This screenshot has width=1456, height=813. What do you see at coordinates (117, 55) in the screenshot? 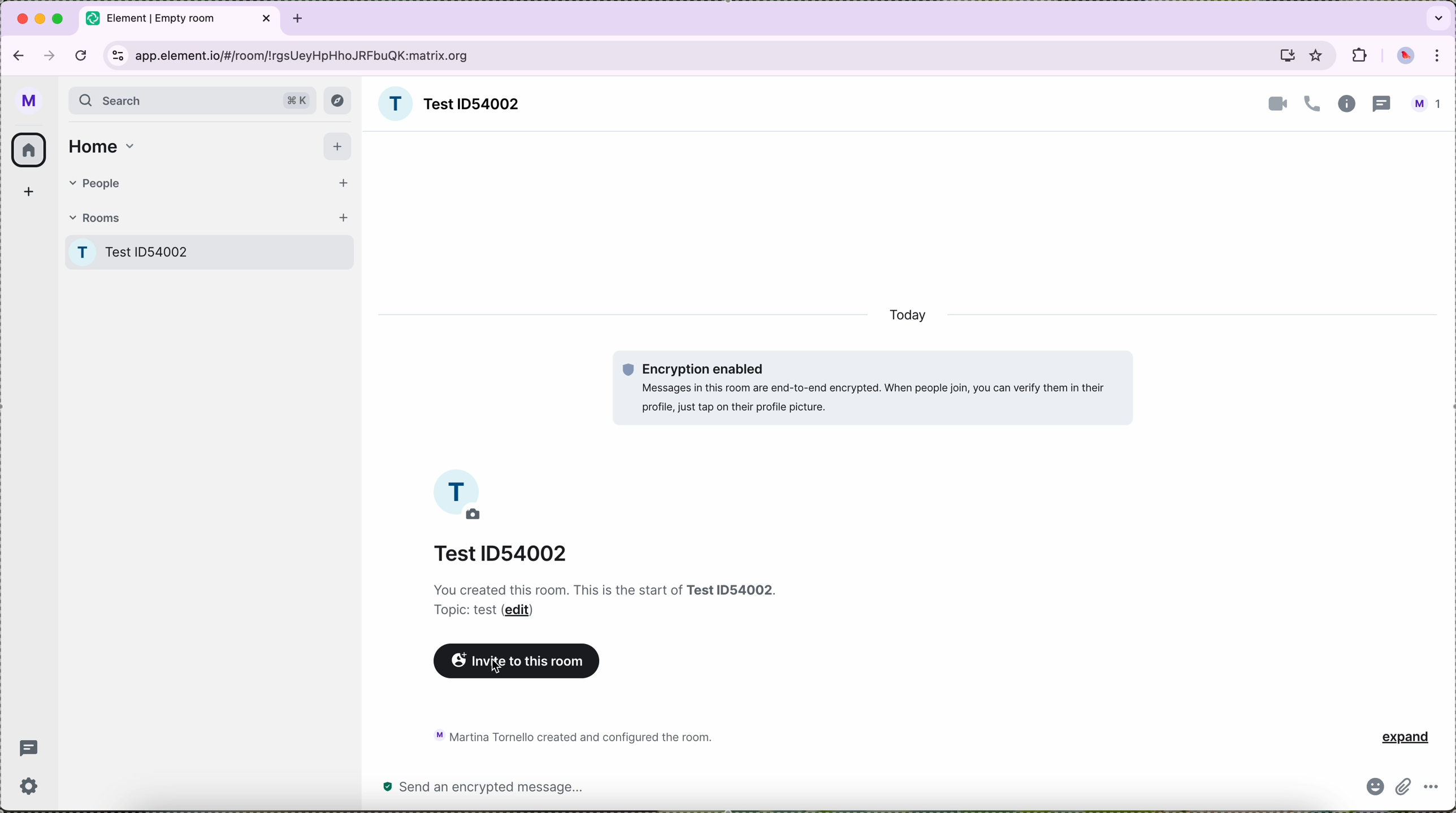
I see `controls` at bounding box center [117, 55].